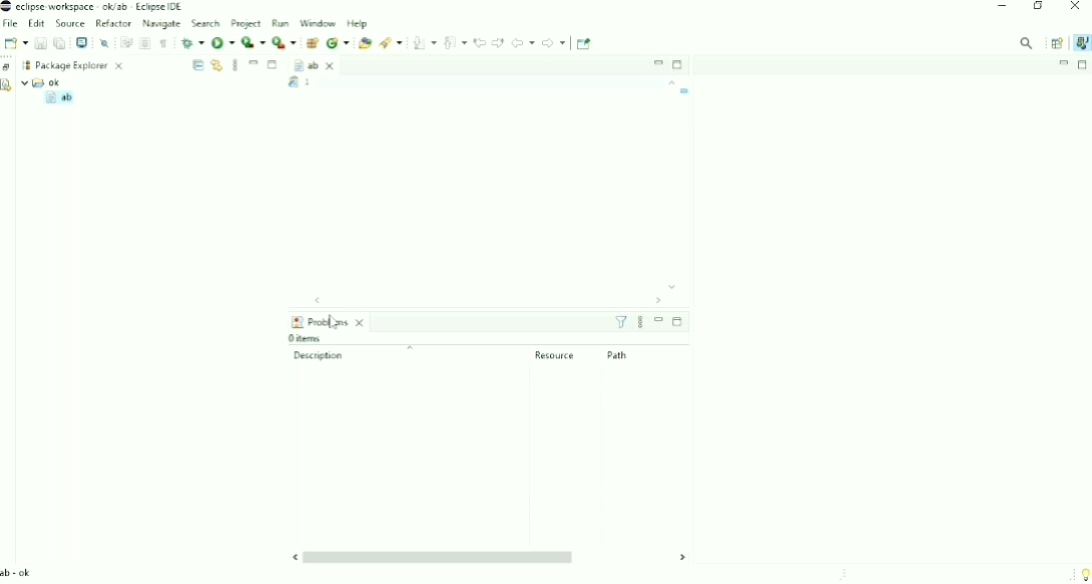 The height and width of the screenshot is (584, 1092). Describe the element at coordinates (670, 185) in the screenshot. I see `Vertical scrollbar` at that location.